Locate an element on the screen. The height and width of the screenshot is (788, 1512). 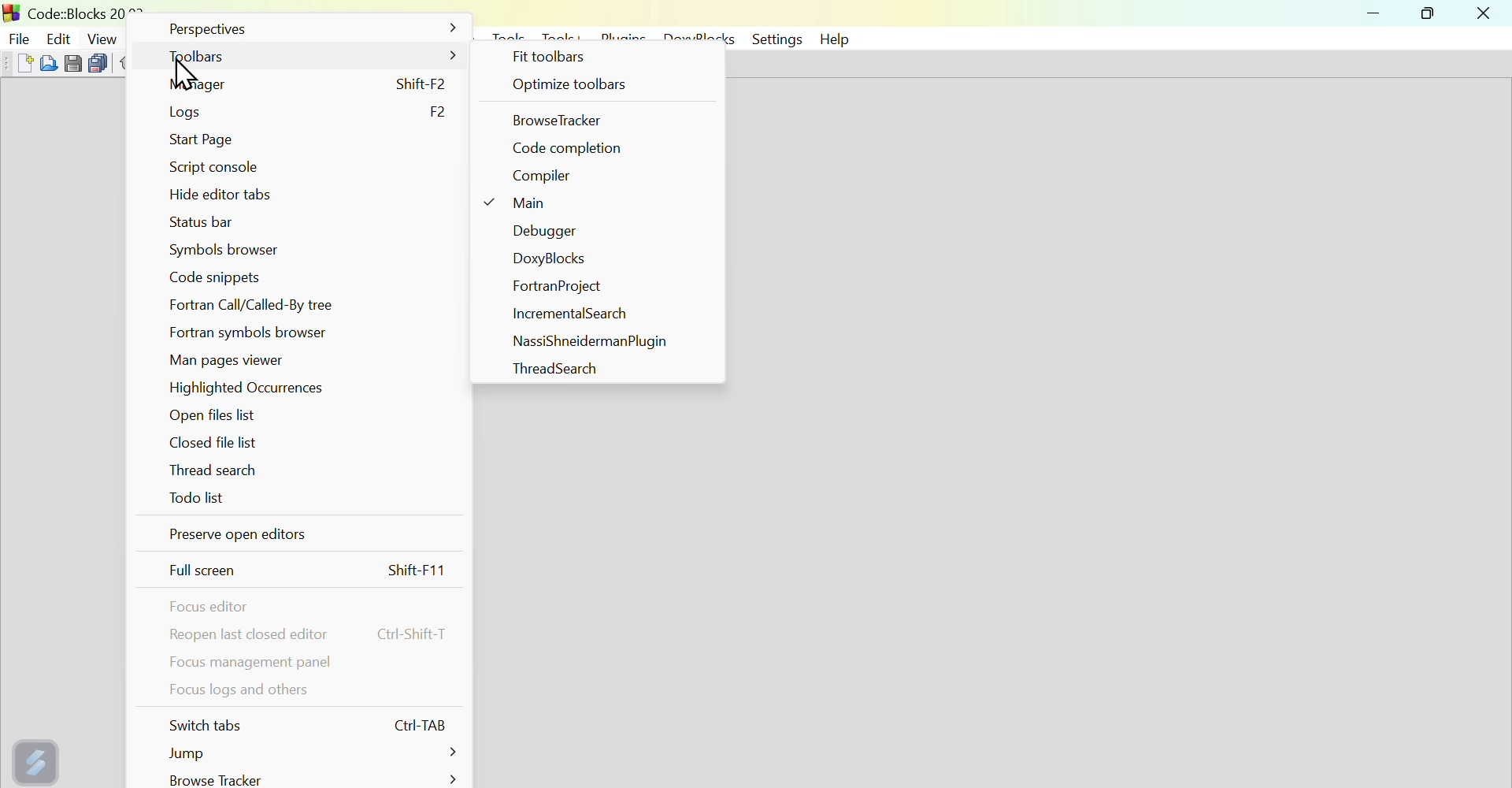
optimise toolbars is located at coordinates (598, 87).